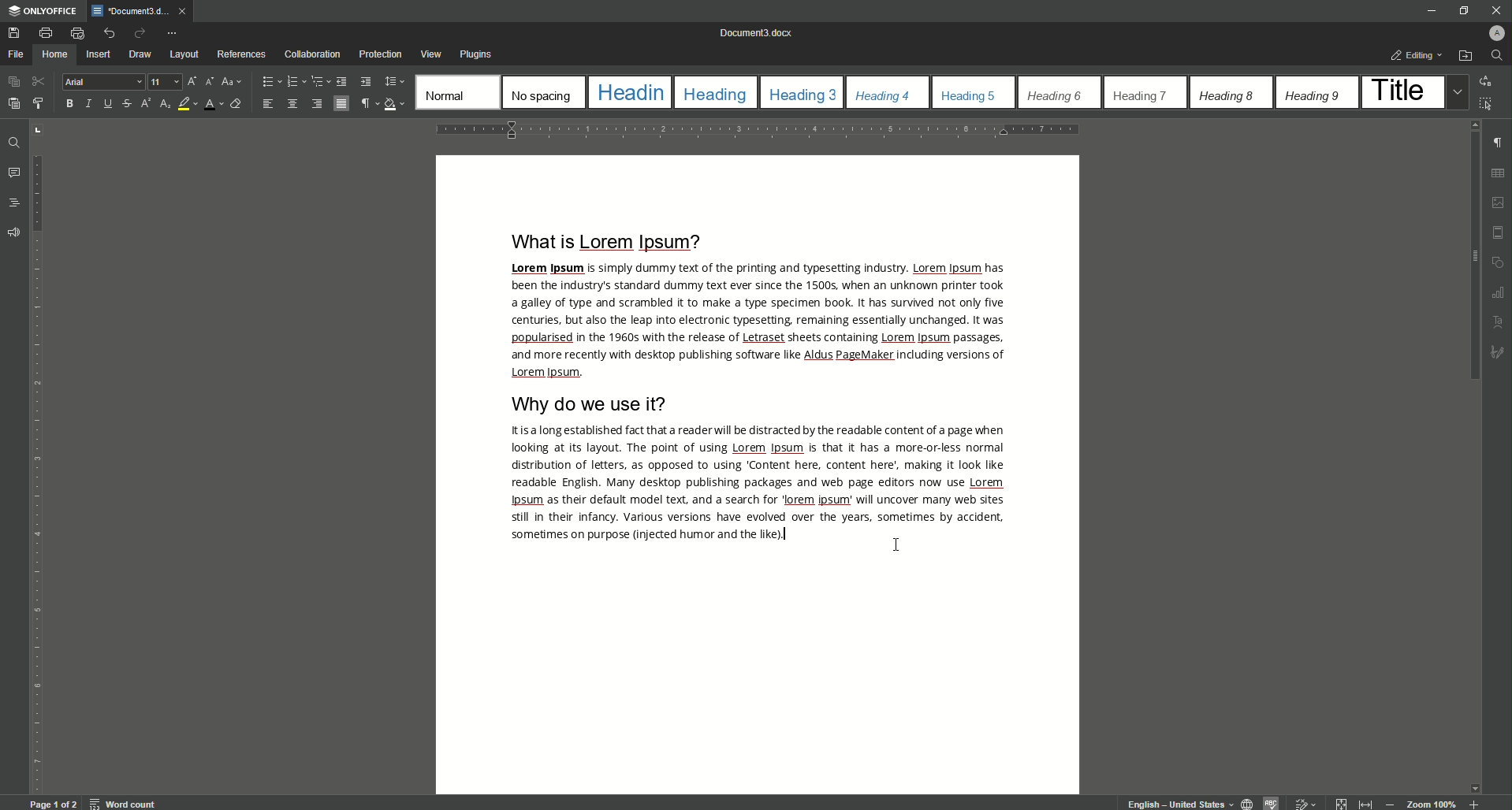 The width and height of the screenshot is (1512, 810). I want to click on Change case, so click(233, 82).